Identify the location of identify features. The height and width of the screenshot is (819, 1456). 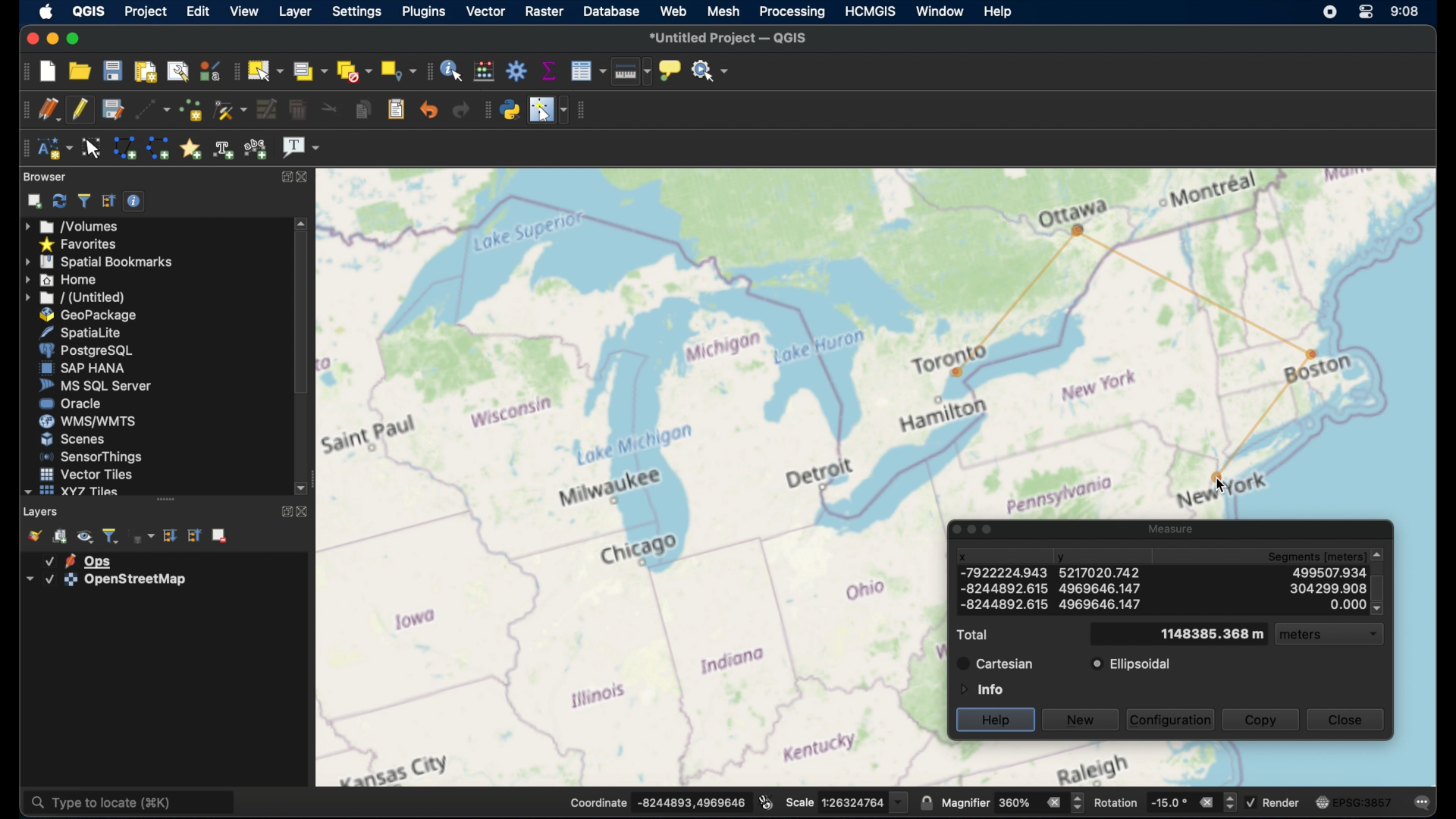
(453, 69).